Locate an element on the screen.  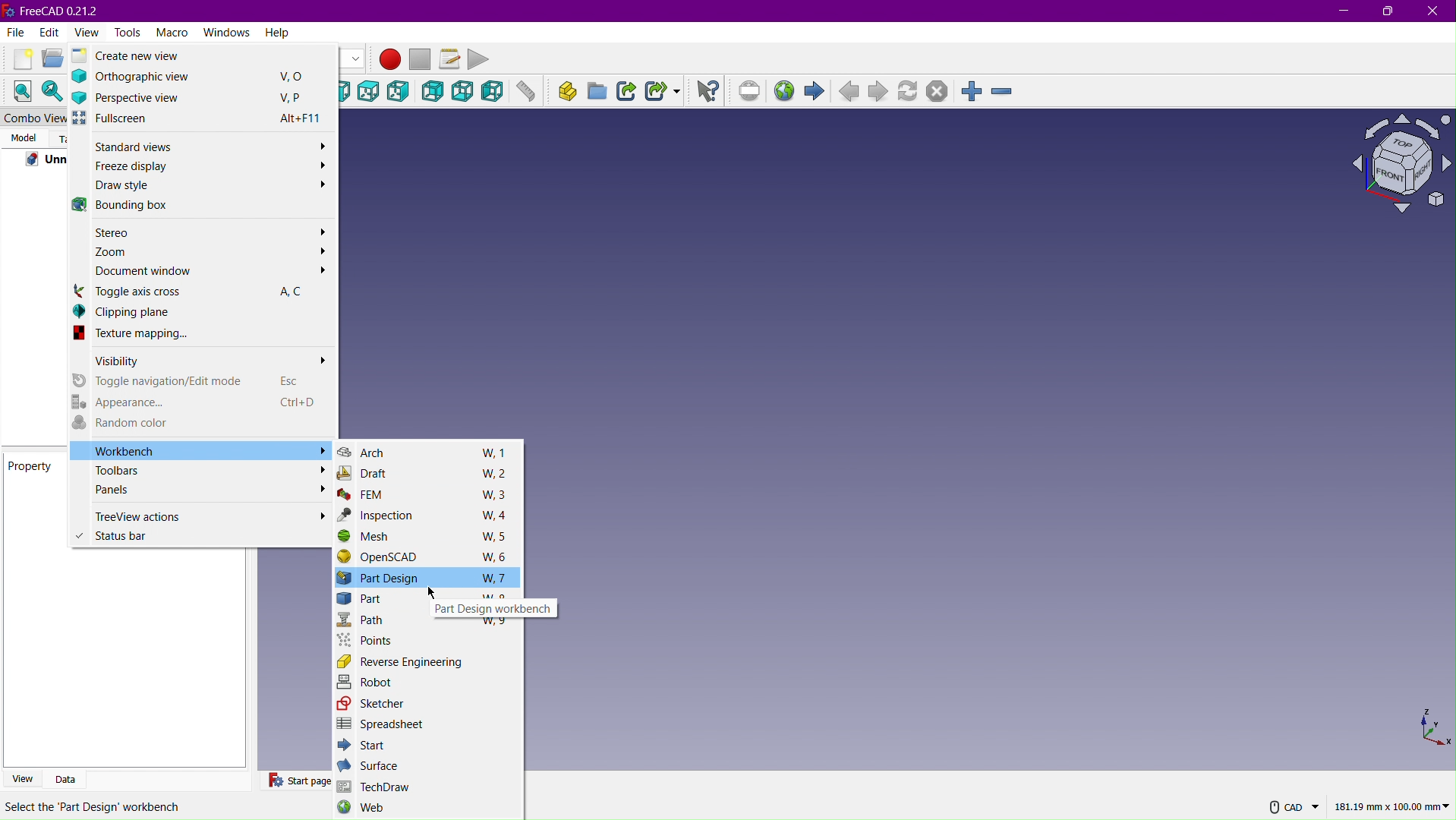
OpenSCAD W, 6 is located at coordinates (430, 560).